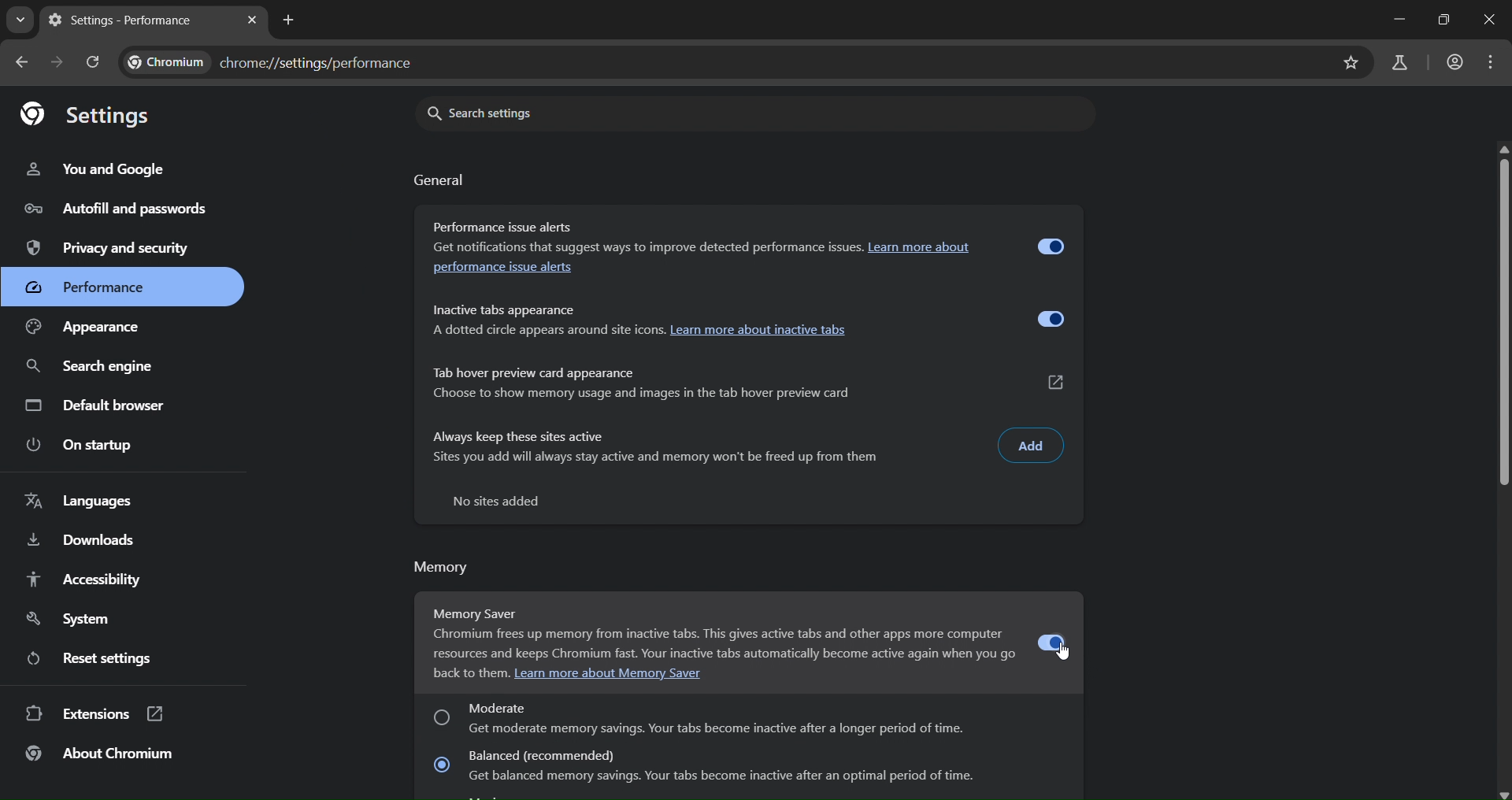  I want to click on customize and control Google chrome, so click(1492, 61).